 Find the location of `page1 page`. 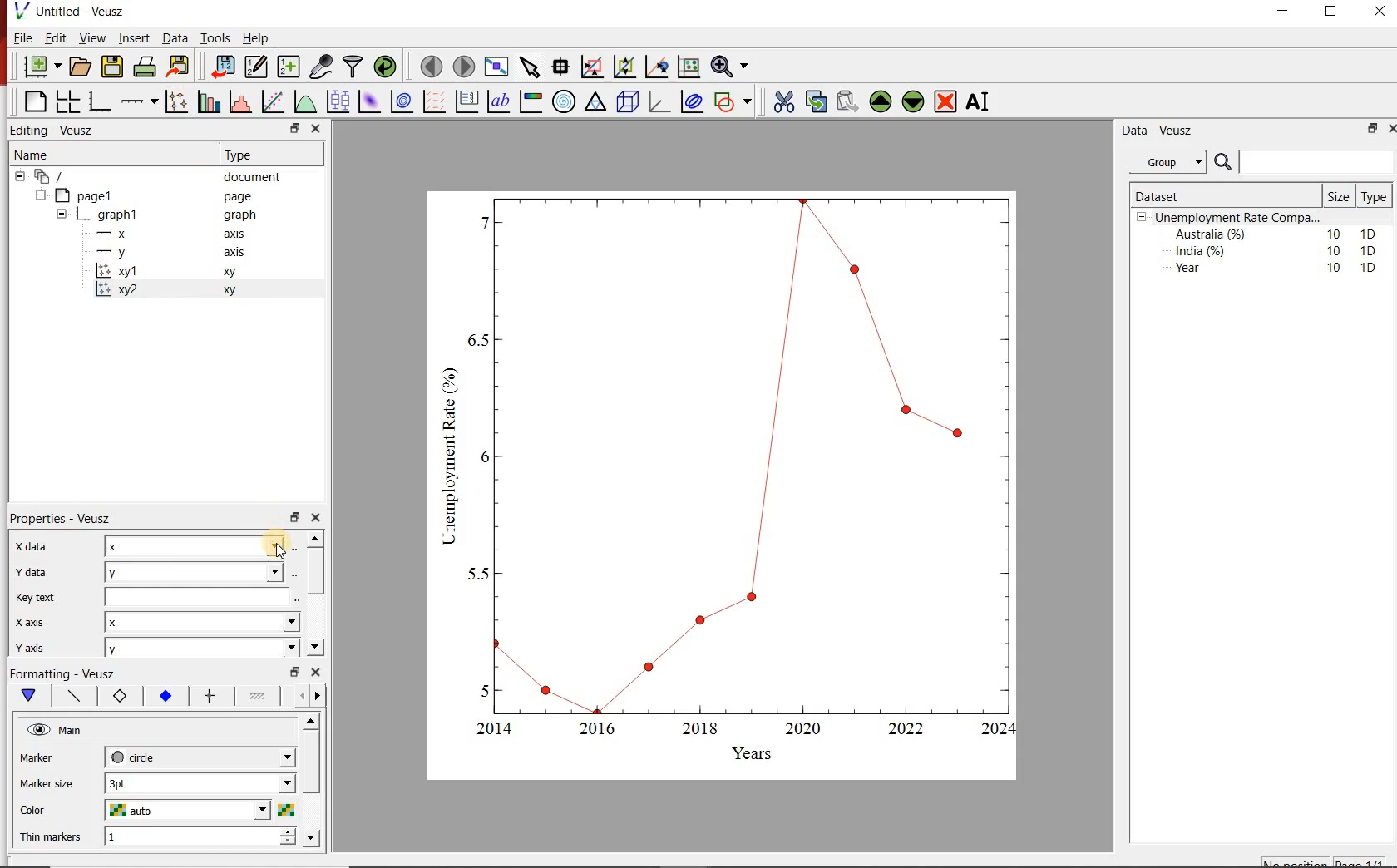

page1 page is located at coordinates (160, 195).